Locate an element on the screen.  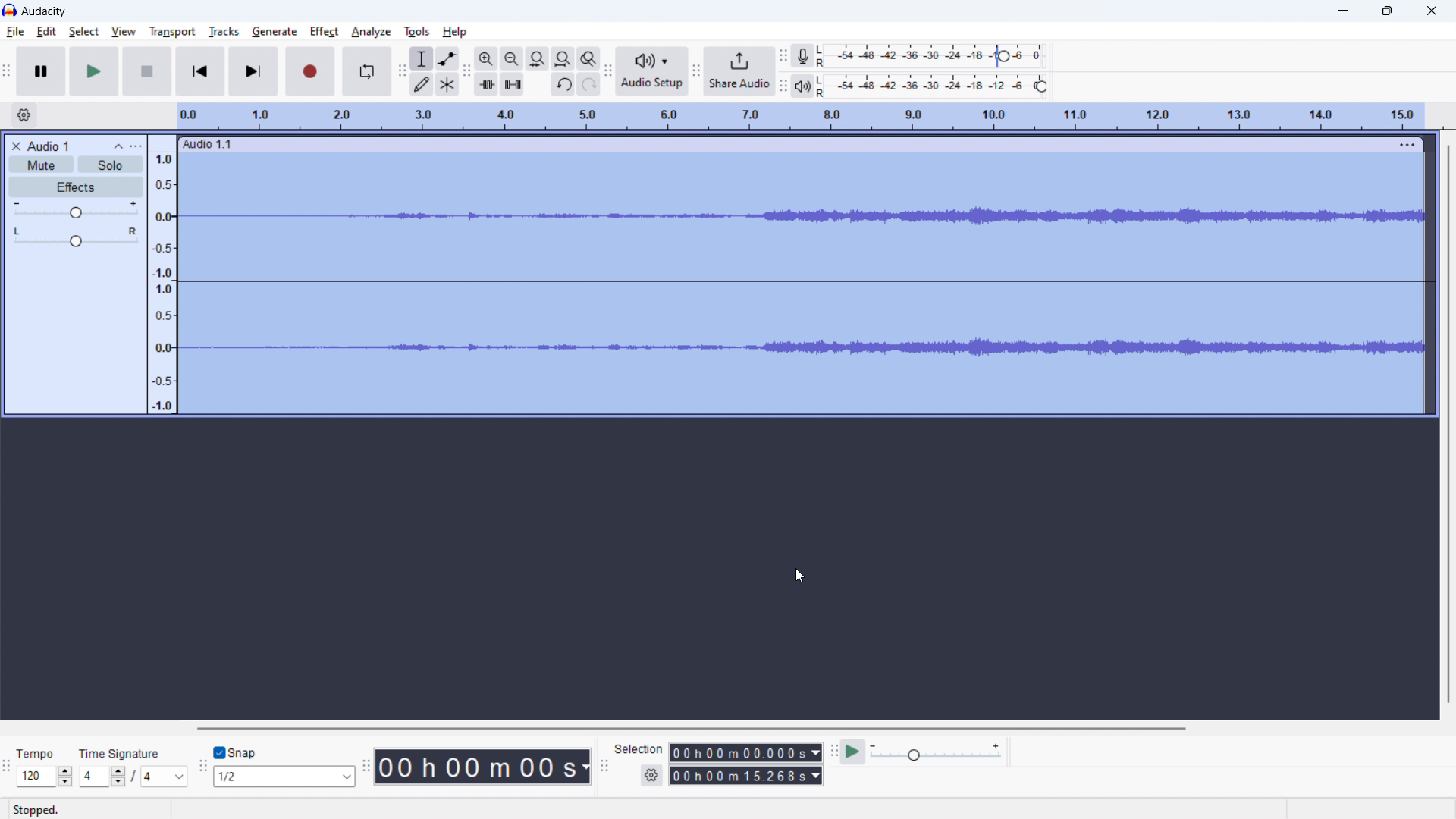
analyze is located at coordinates (372, 32).